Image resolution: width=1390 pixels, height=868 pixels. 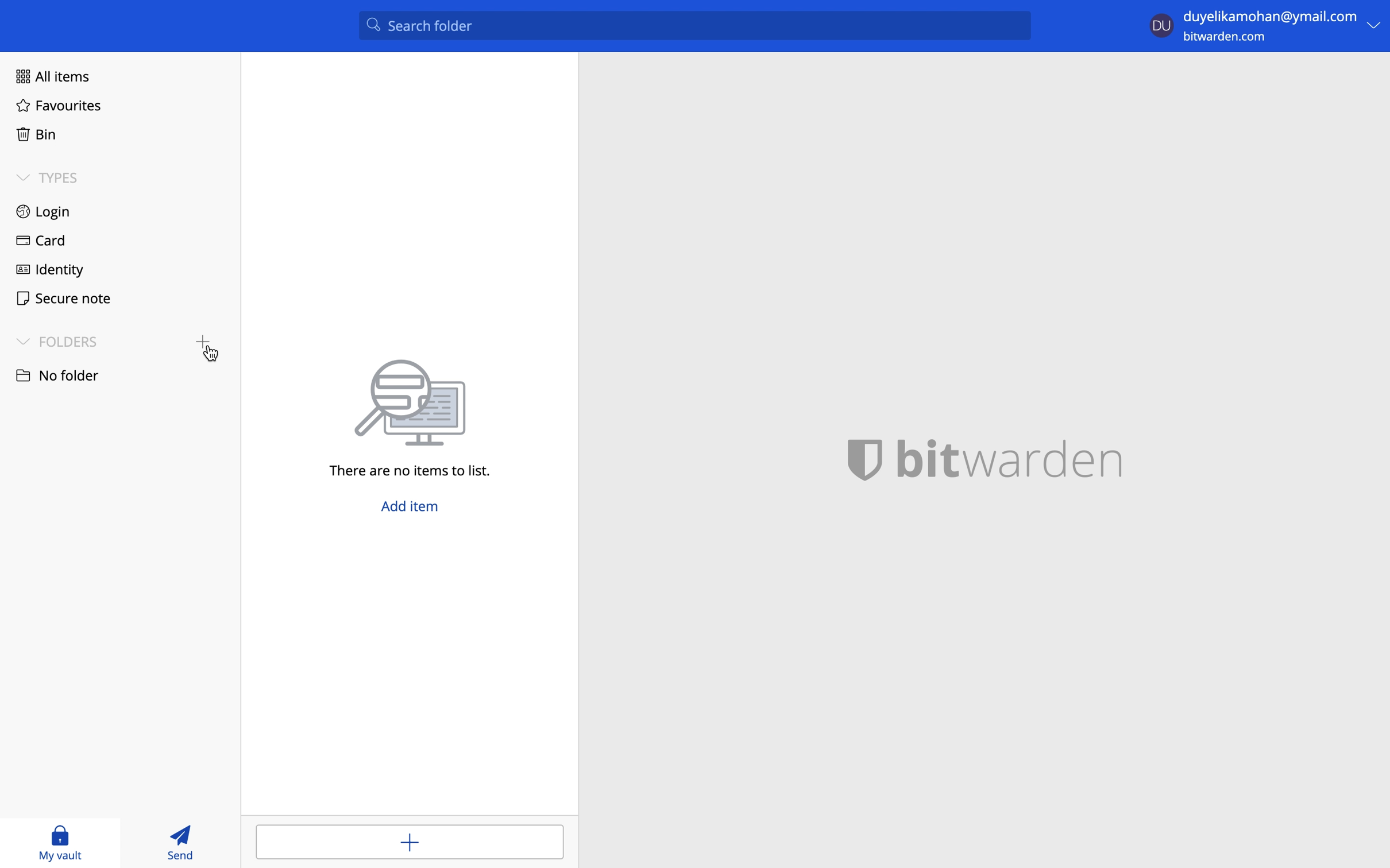 What do you see at coordinates (48, 177) in the screenshot?
I see `types` at bounding box center [48, 177].